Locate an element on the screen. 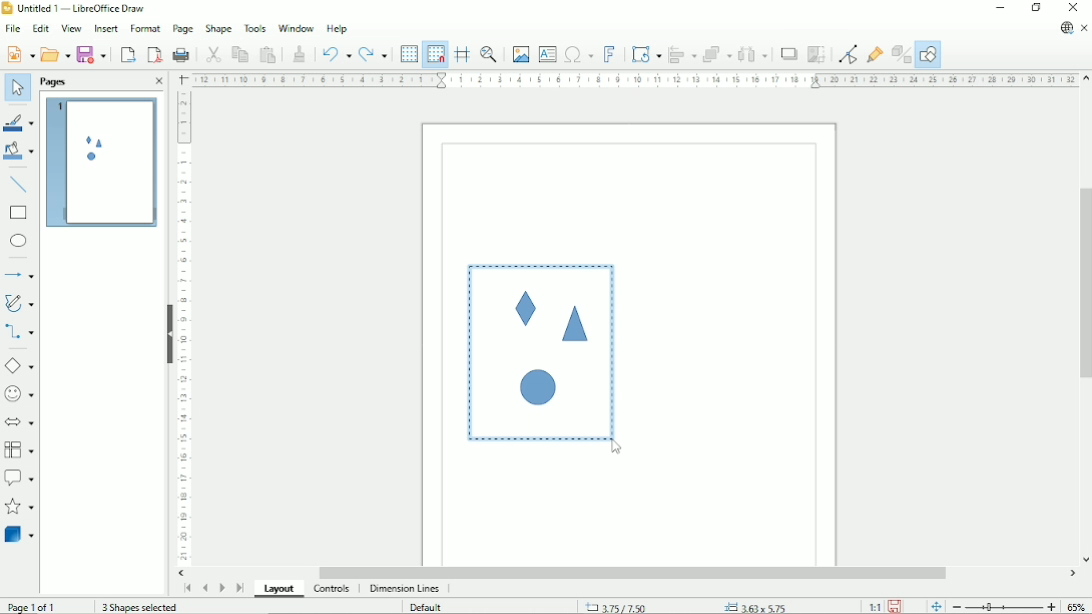 The image size is (1092, 614). Scroll to first page is located at coordinates (186, 589).